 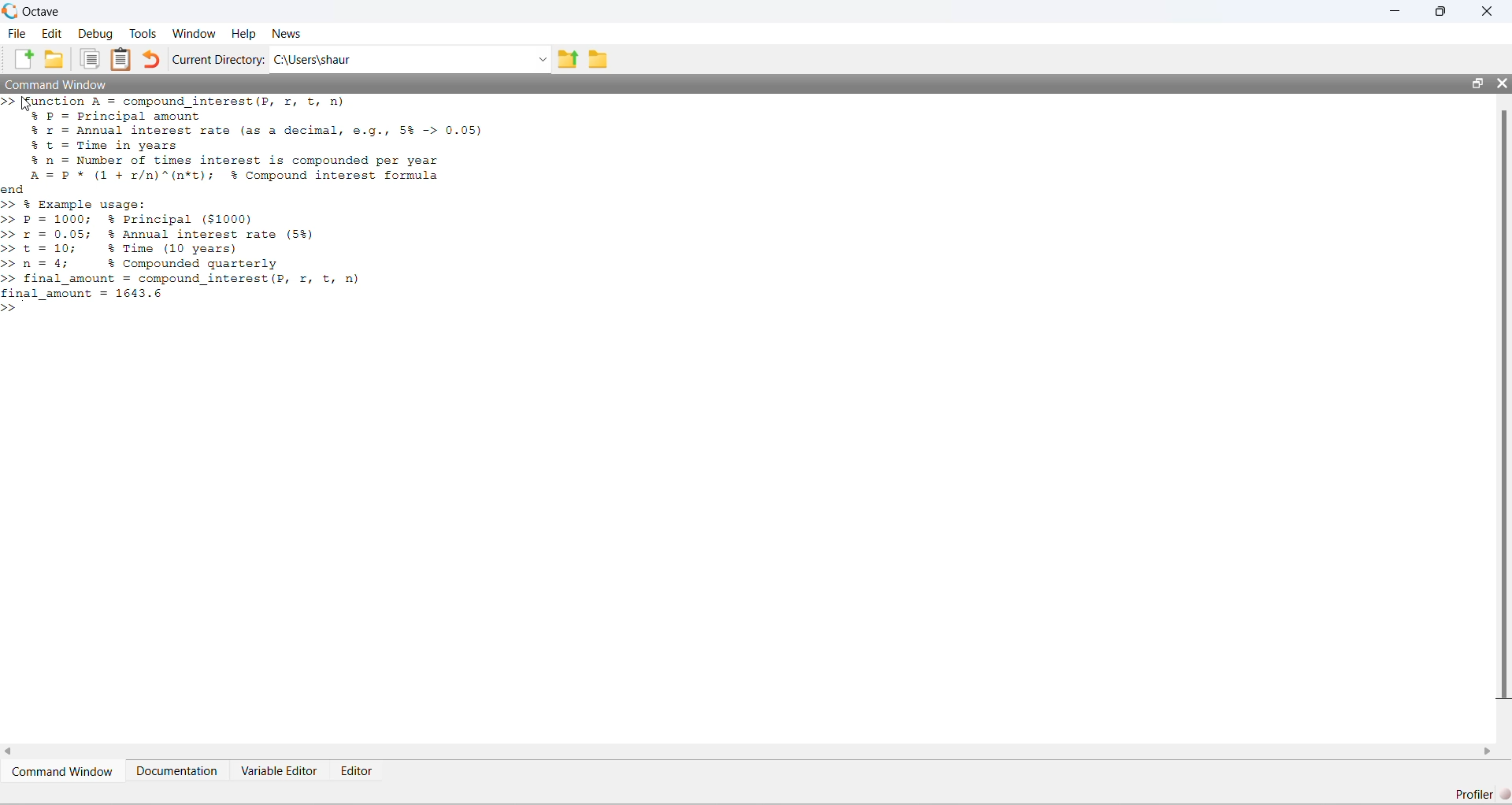 What do you see at coordinates (22, 59) in the screenshot?
I see `New File` at bounding box center [22, 59].